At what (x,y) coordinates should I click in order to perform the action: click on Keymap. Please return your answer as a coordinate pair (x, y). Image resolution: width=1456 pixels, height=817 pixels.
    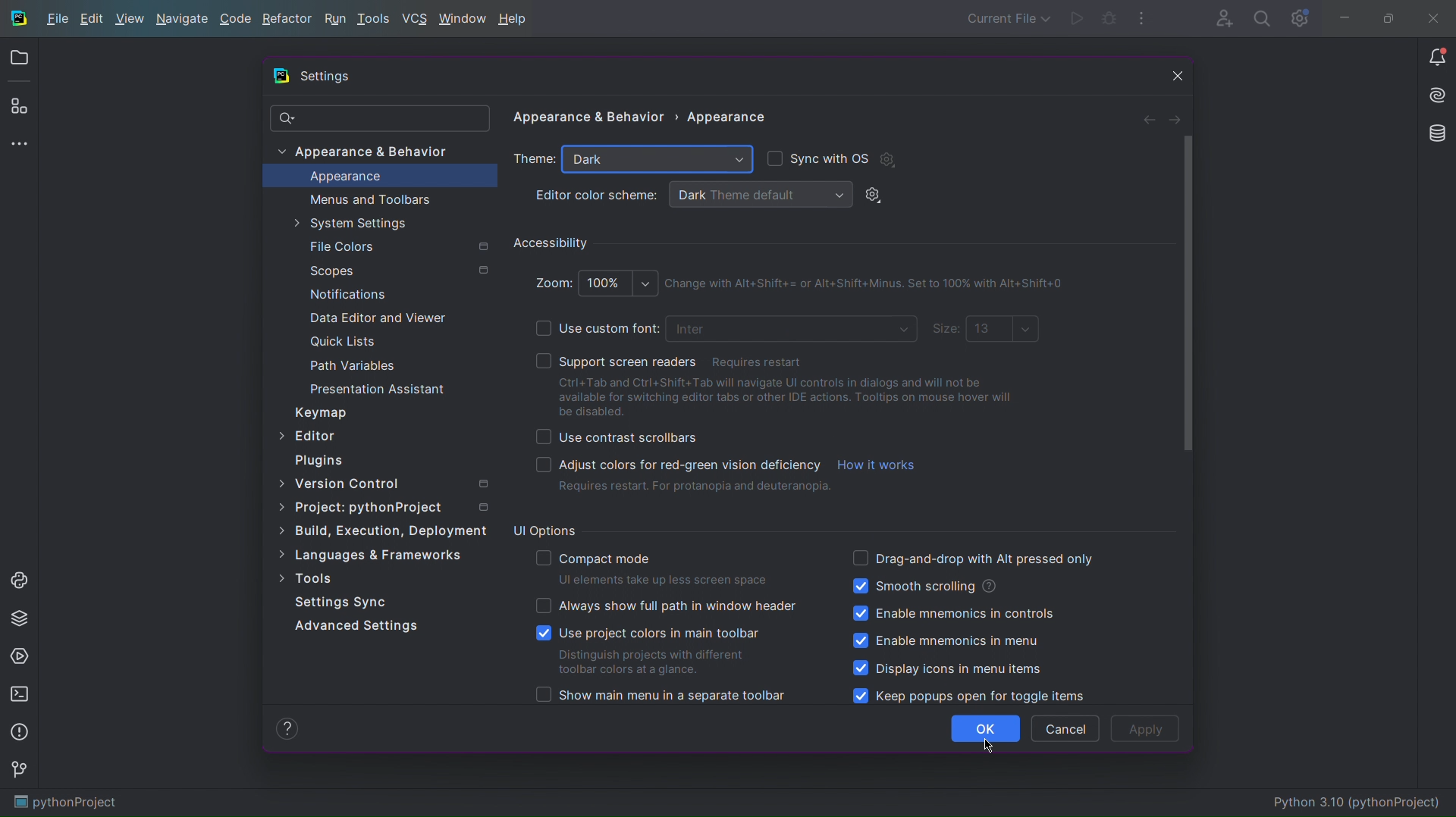
    Looking at the image, I should click on (320, 412).